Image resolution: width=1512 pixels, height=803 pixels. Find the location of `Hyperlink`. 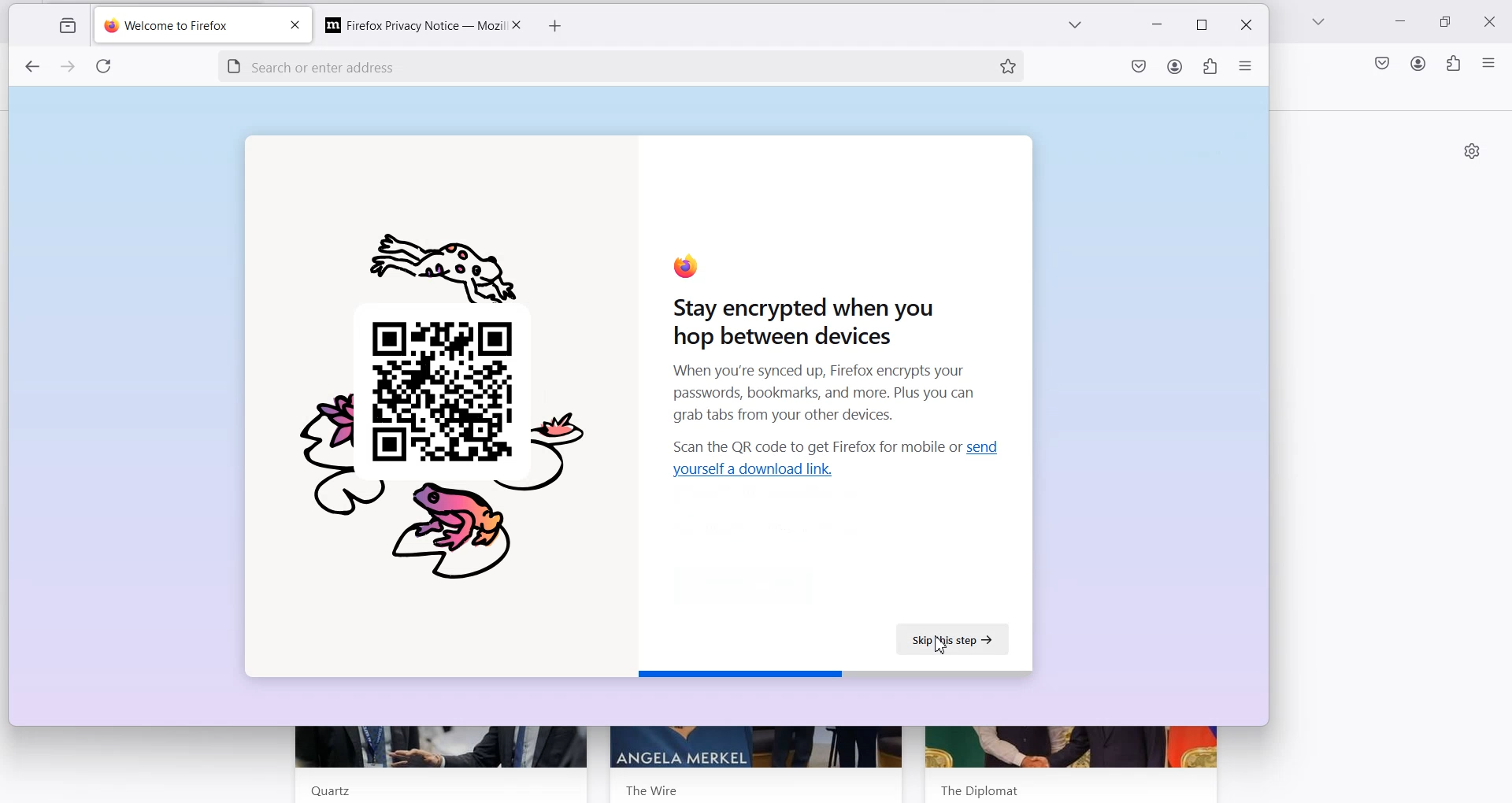

Hyperlink is located at coordinates (754, 470).